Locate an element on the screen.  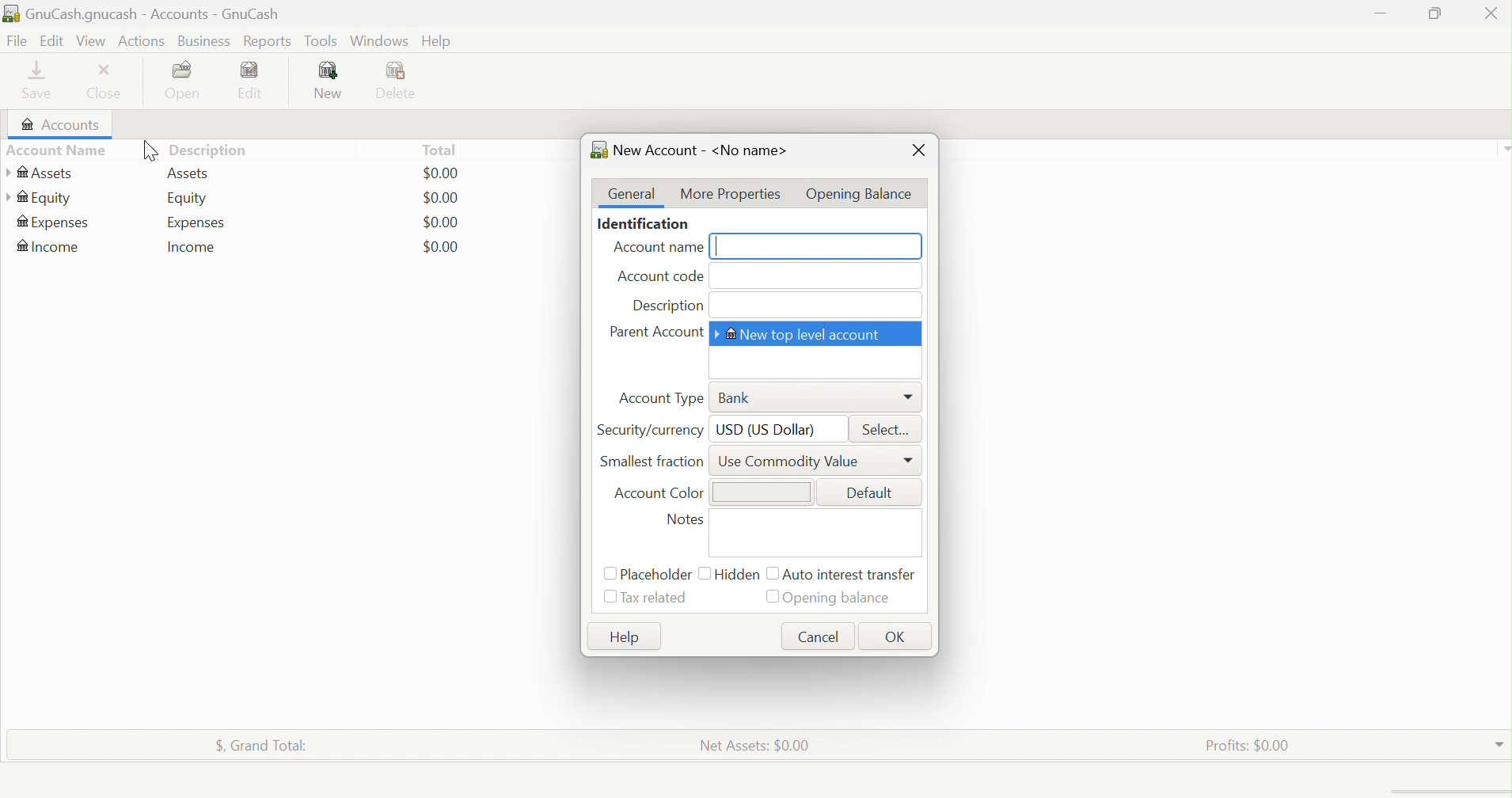
Notes is located at coordinates (689, 521).